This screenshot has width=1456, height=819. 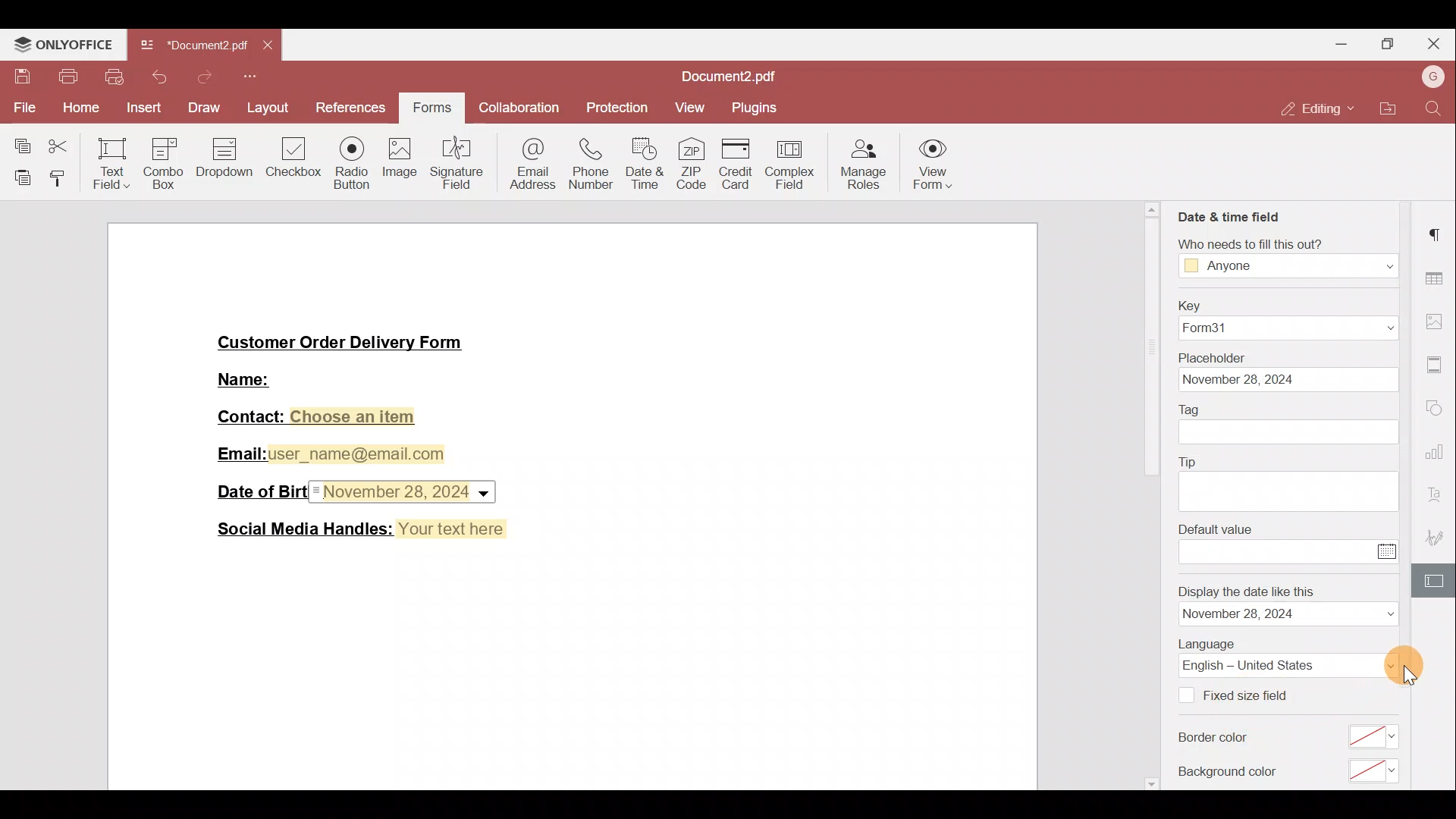 What do you see at coordinates (1231, 216) in the screenshot?
I see `Date & time field` at bounding box center [1231, 216].